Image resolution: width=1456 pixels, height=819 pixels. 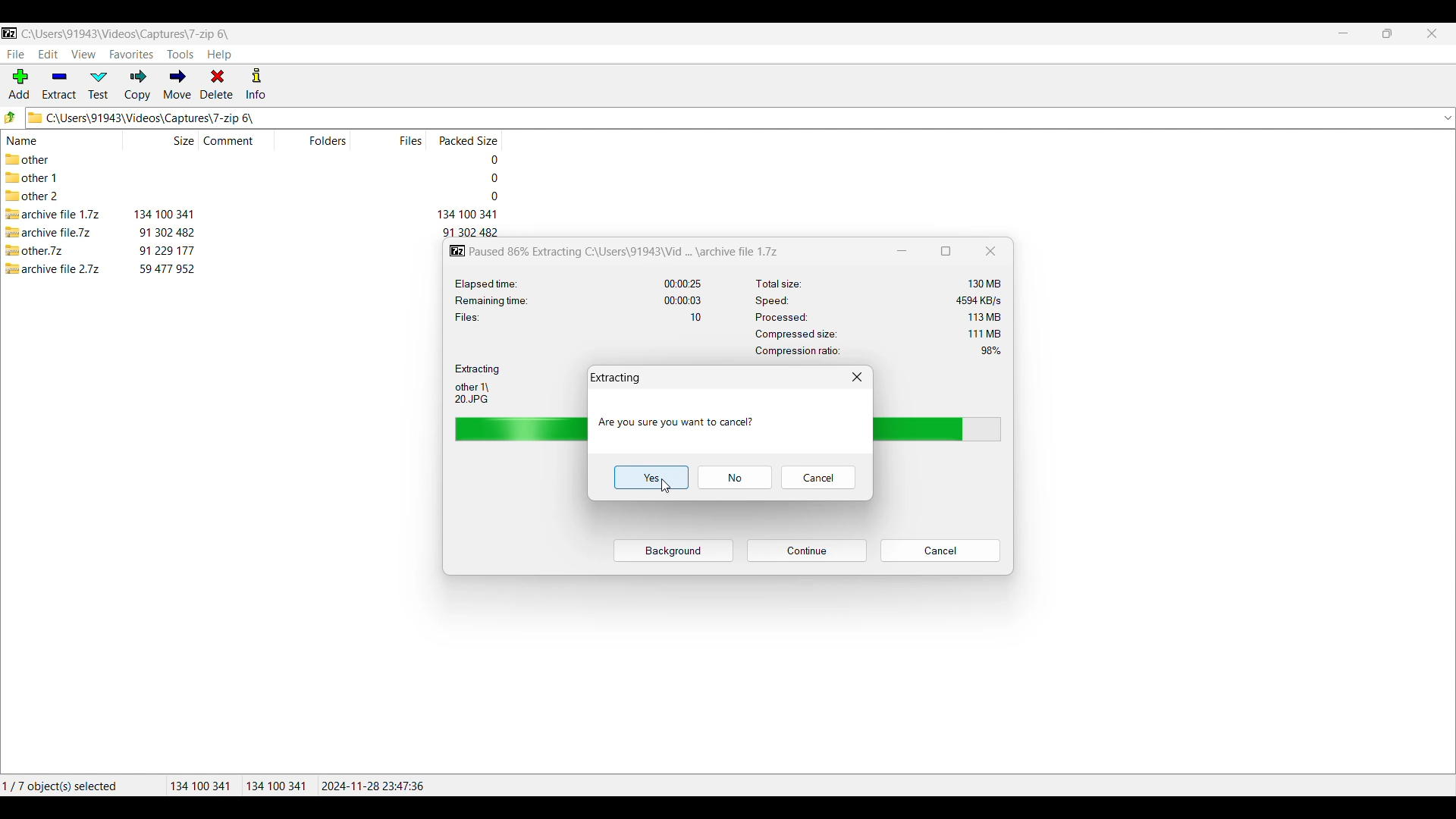 I want to click on Folders column, so click(x=325, y=140).